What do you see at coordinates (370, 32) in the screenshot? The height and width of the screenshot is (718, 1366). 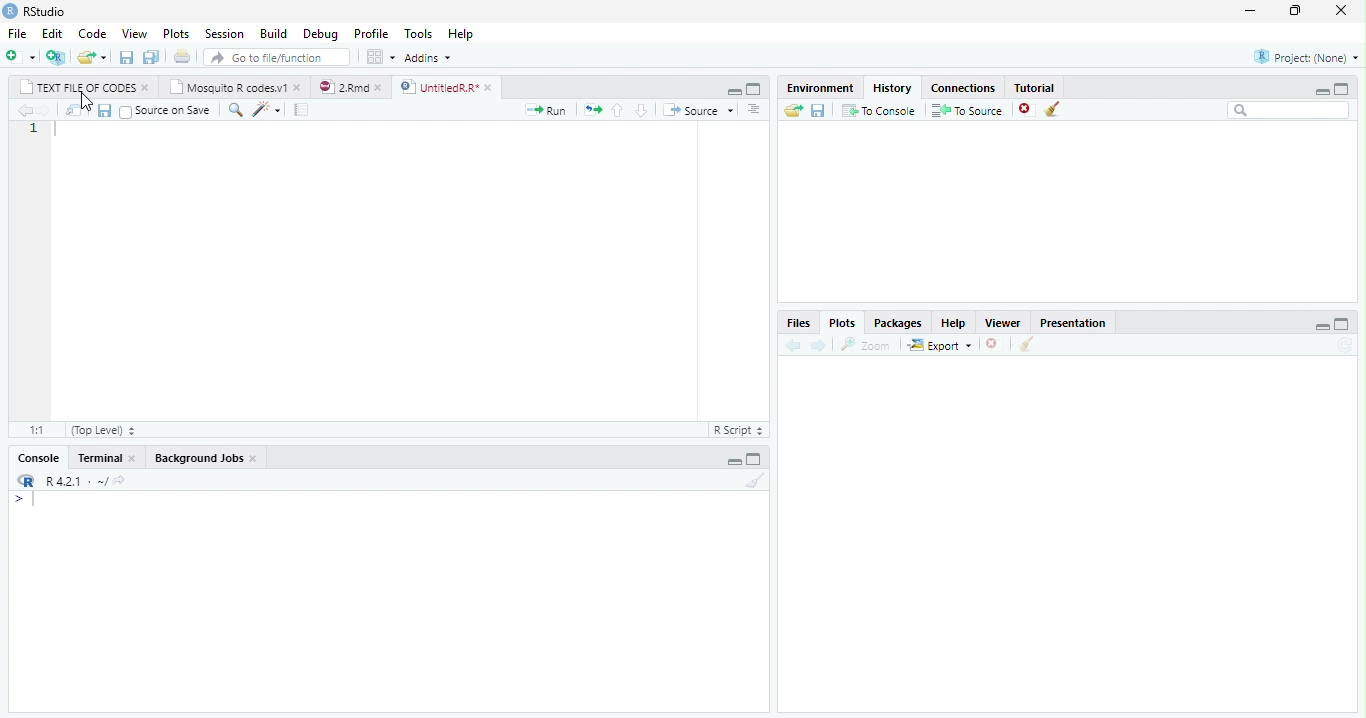 I see `profile` at bounding box center [370, 32].